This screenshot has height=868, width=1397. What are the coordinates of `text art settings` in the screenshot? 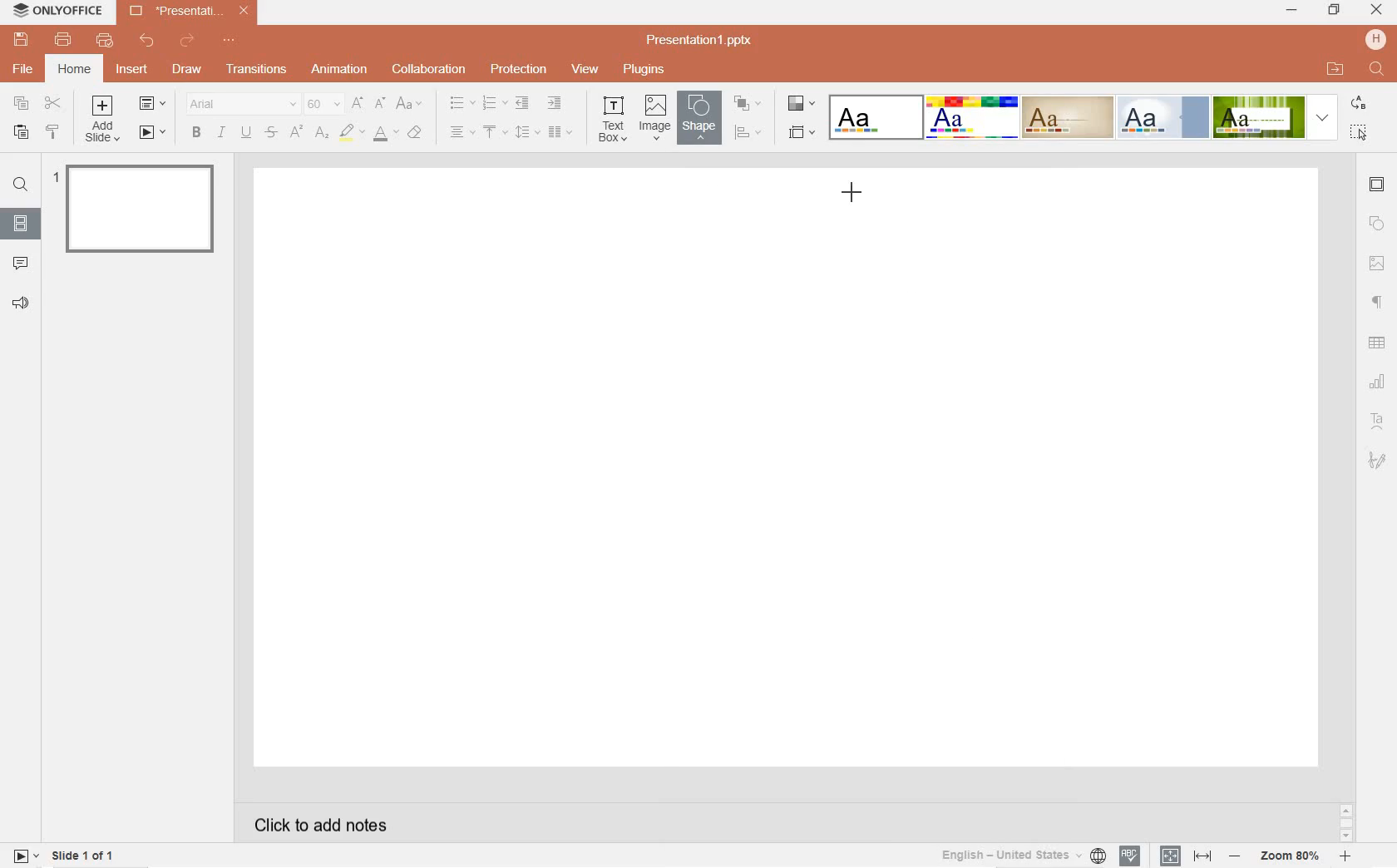 It's located at (1375, 419).